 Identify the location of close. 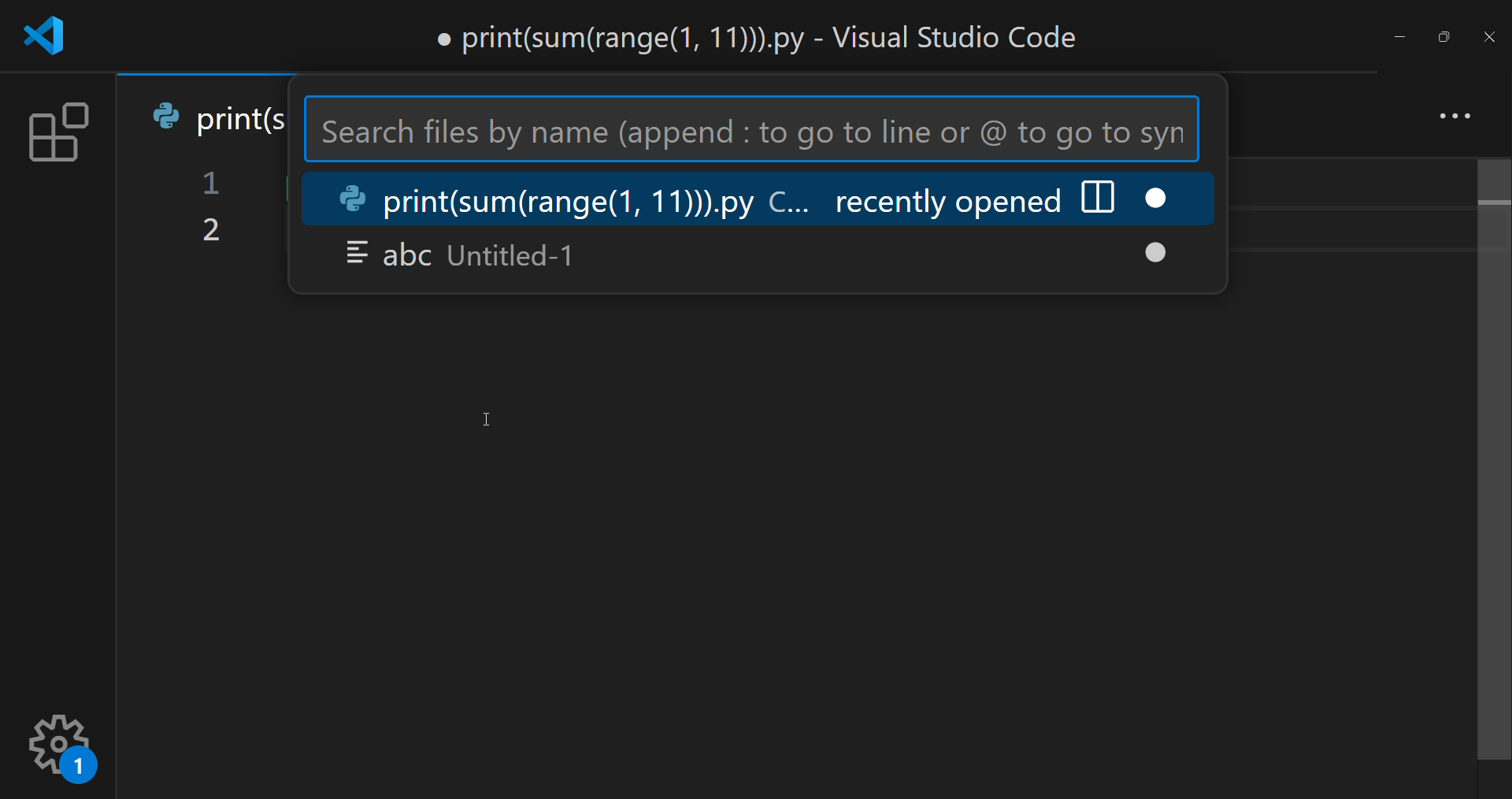
(1158, 198).